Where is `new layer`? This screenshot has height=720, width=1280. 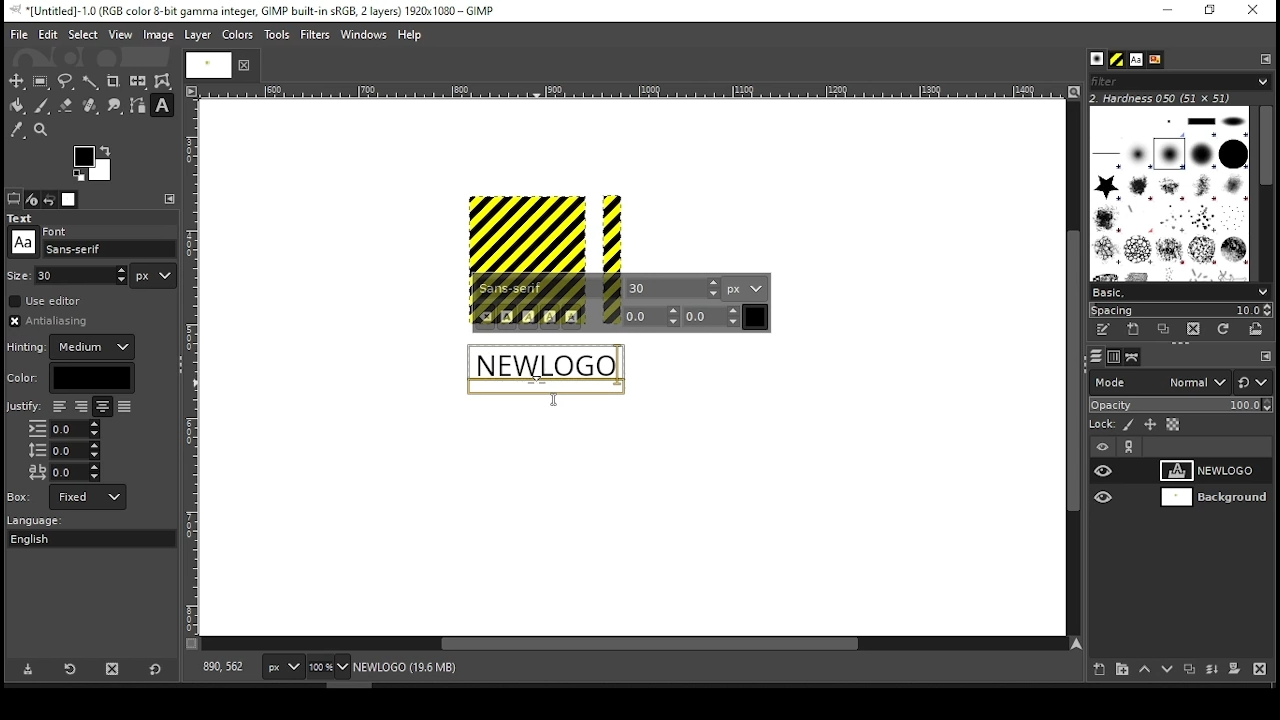
new layer is located at coordinates (1095, 667).